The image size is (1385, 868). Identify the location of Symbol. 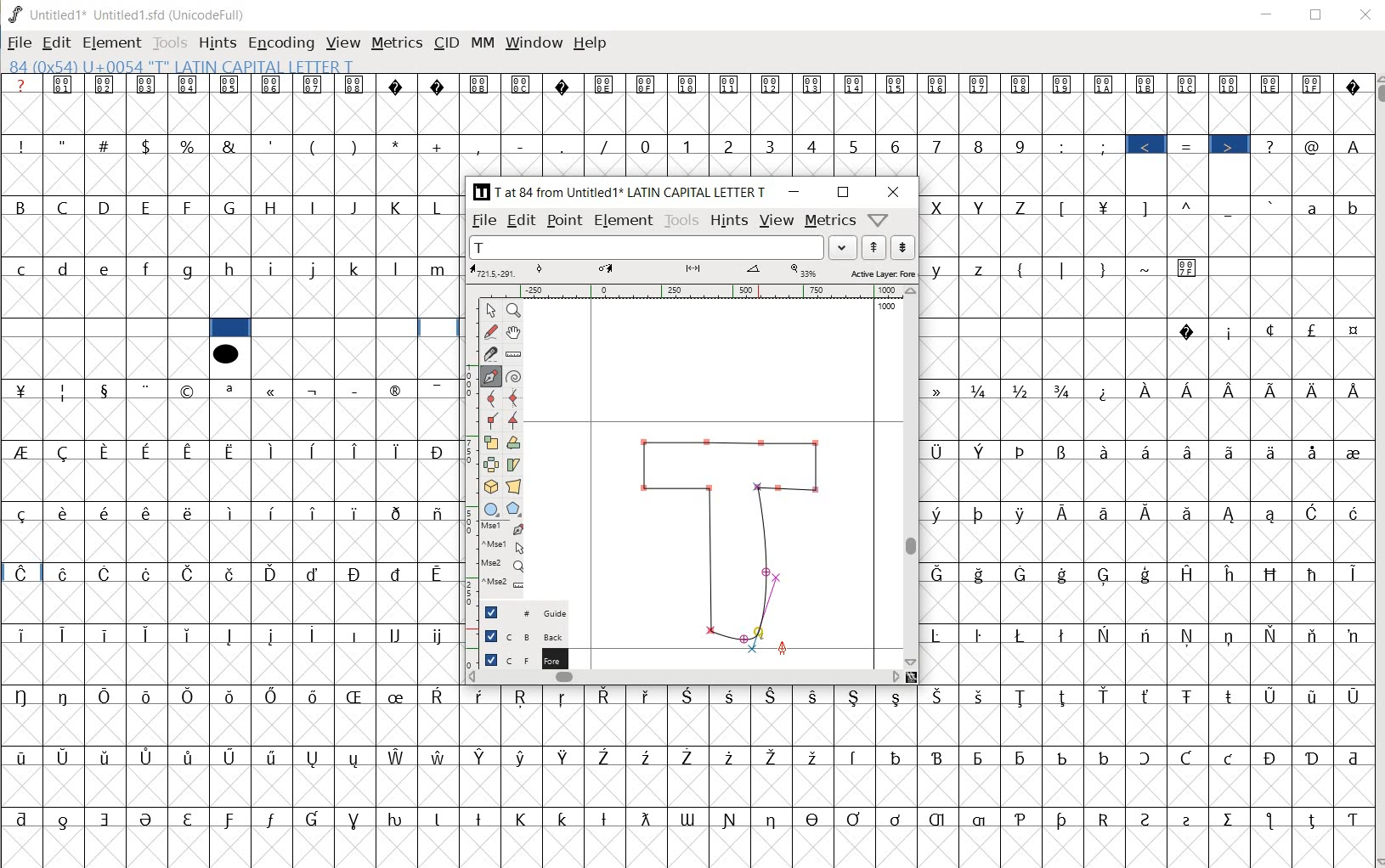
(1314, 452).